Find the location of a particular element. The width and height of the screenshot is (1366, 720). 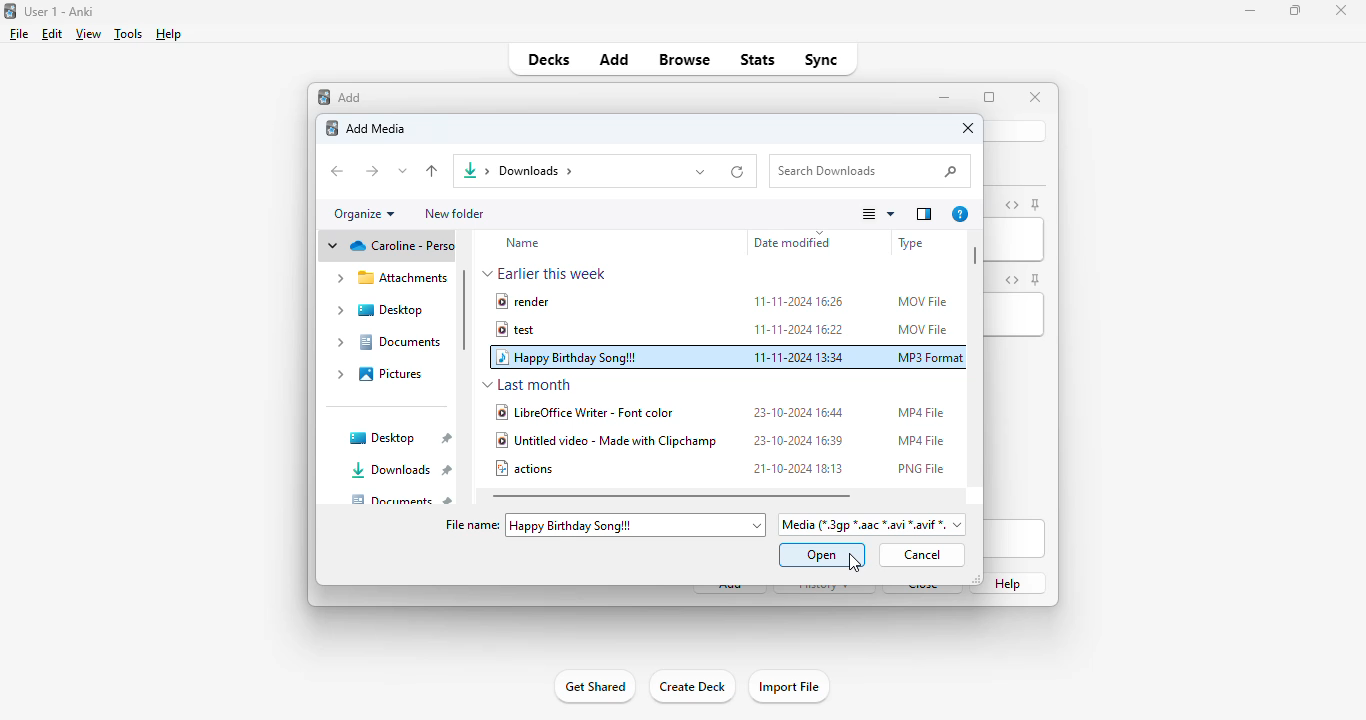

title is located at coordinates (60, 11).